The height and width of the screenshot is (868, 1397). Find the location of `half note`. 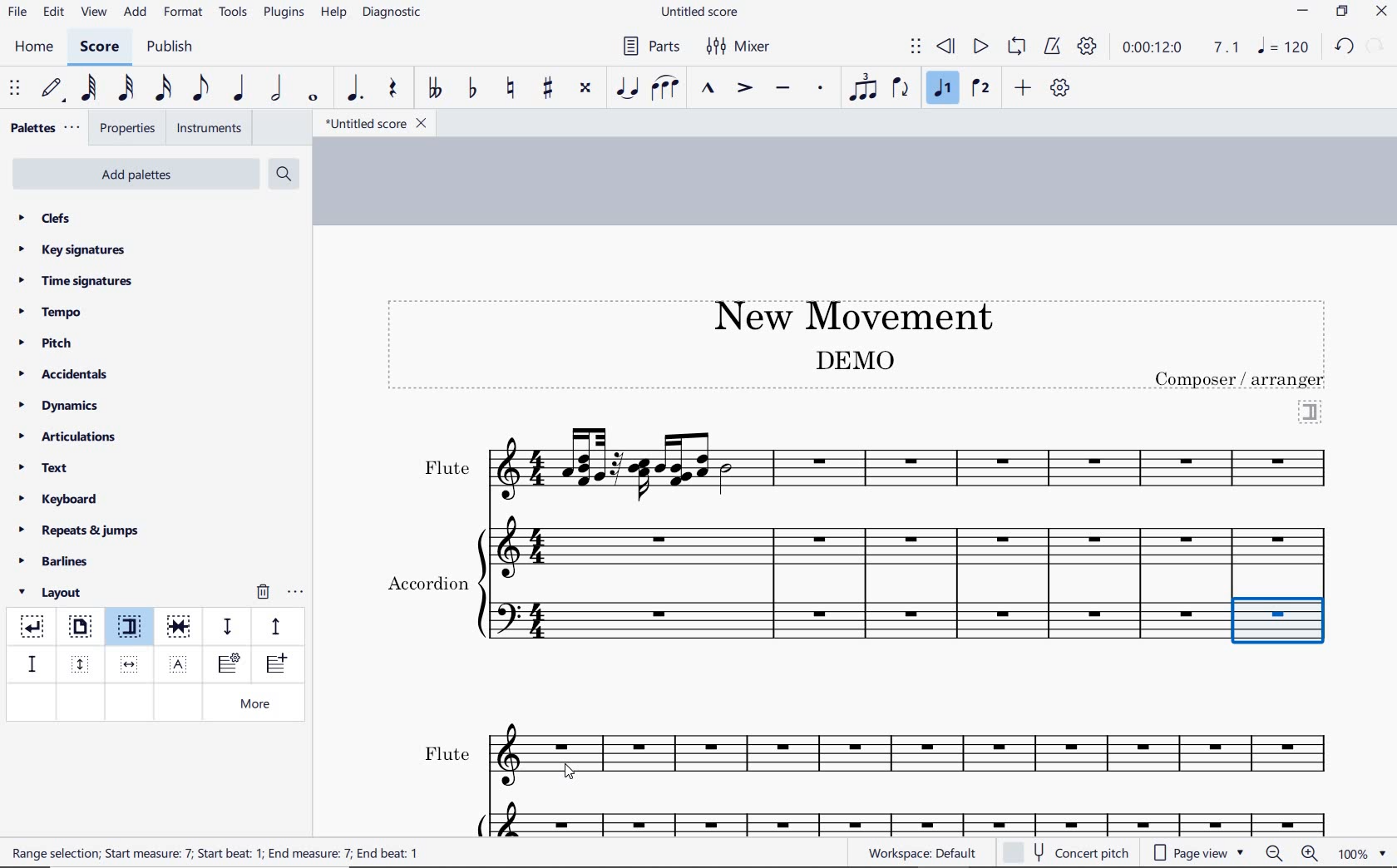

half note is located at coordinates (276, 89).